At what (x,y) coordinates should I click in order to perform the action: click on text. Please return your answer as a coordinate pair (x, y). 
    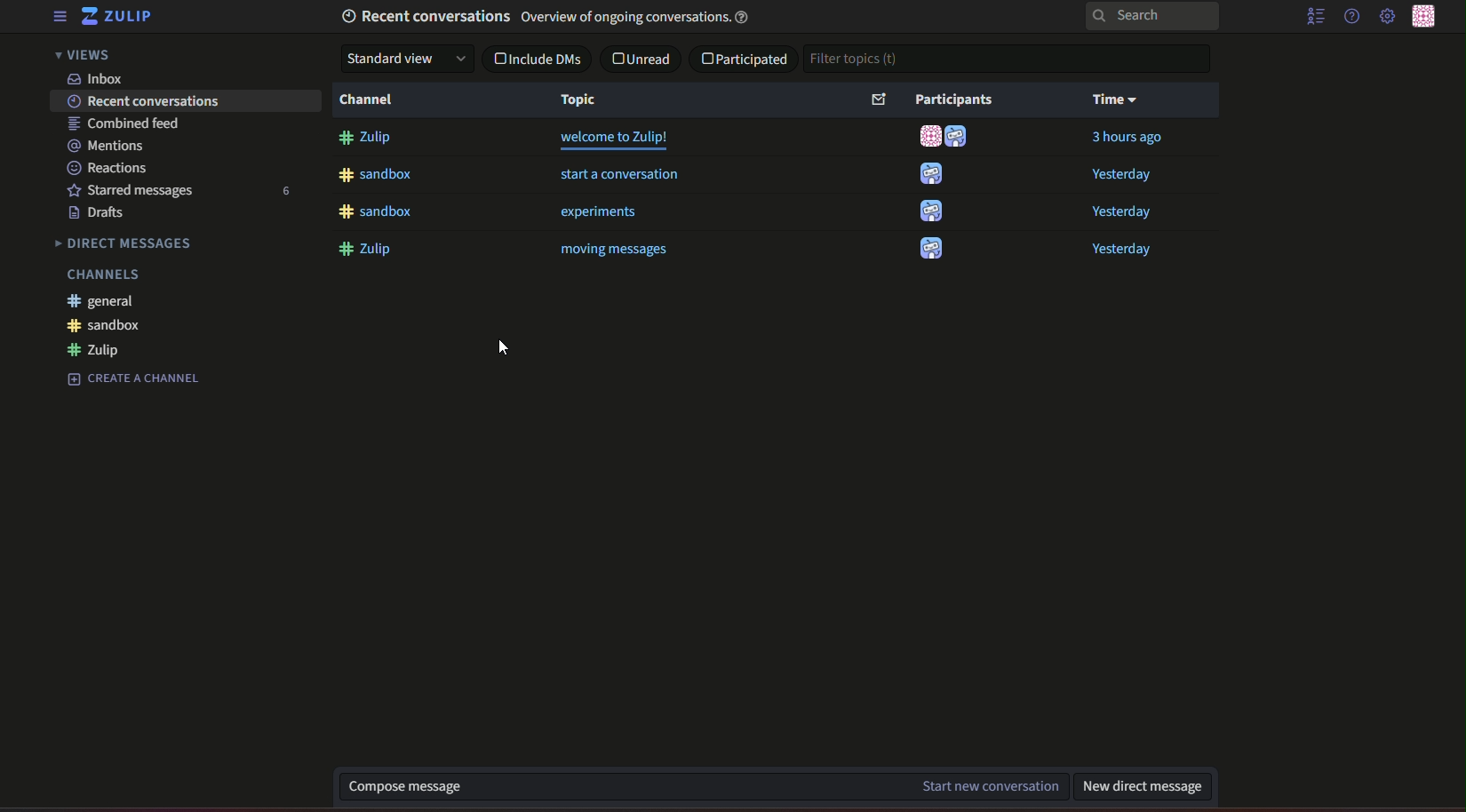
    Looking at the image, I should click on (131, 378).